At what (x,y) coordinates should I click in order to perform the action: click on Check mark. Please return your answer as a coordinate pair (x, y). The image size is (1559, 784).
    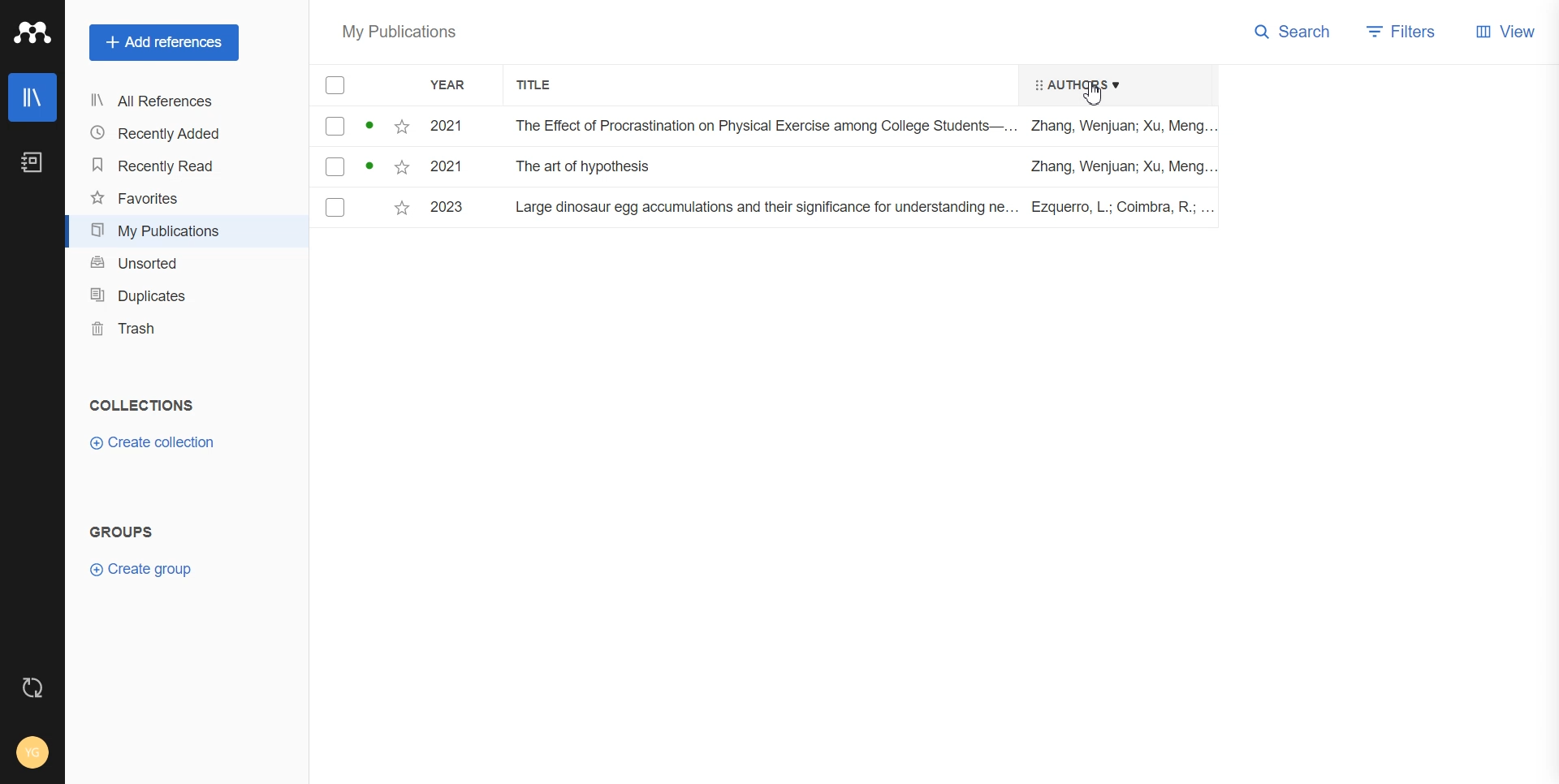
    Looking at the image, I should click on (337, 85).